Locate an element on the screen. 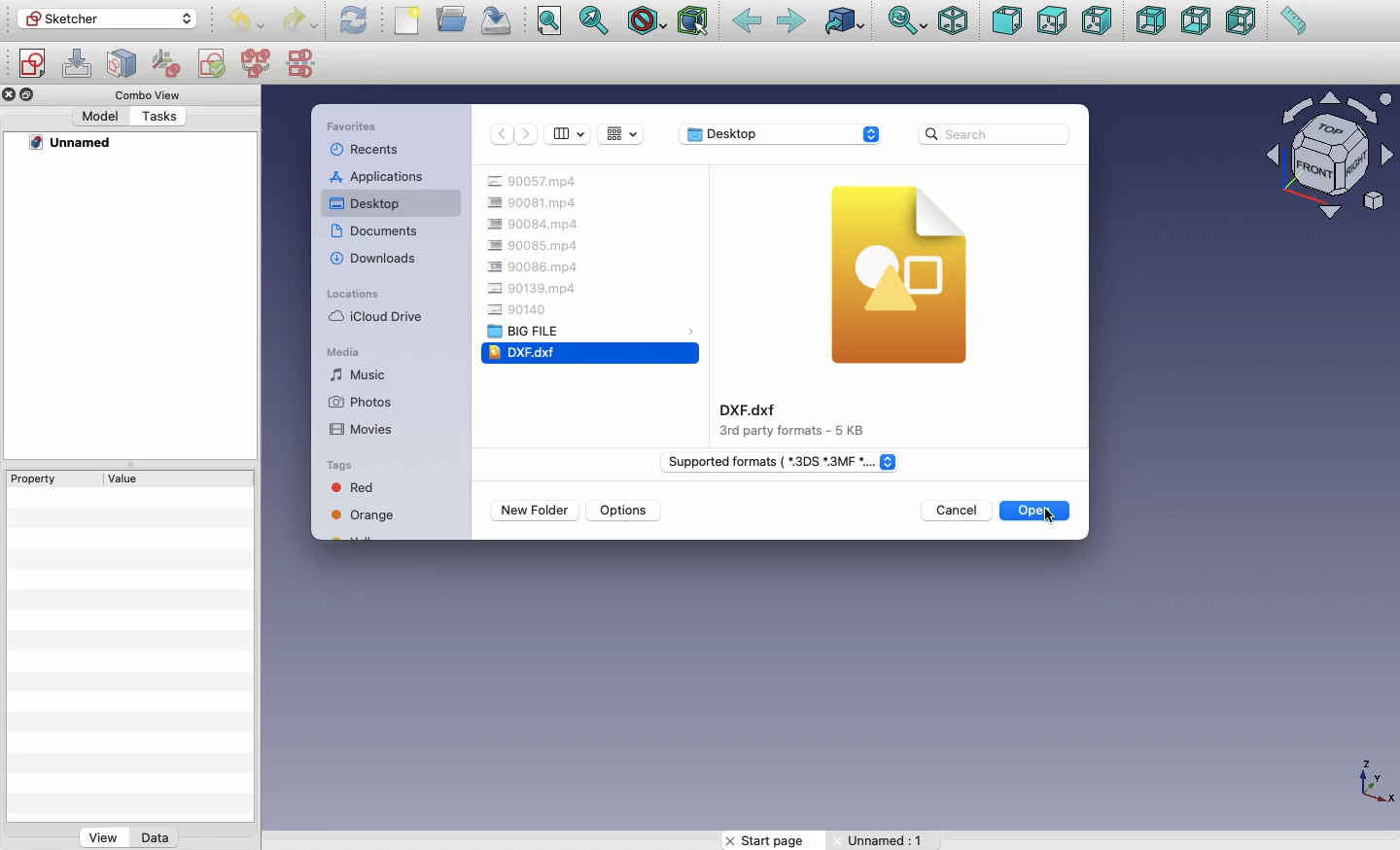 Image resolution: width=1400 pixels, height=850 pixels. Music is located at coordinates (367, 374).